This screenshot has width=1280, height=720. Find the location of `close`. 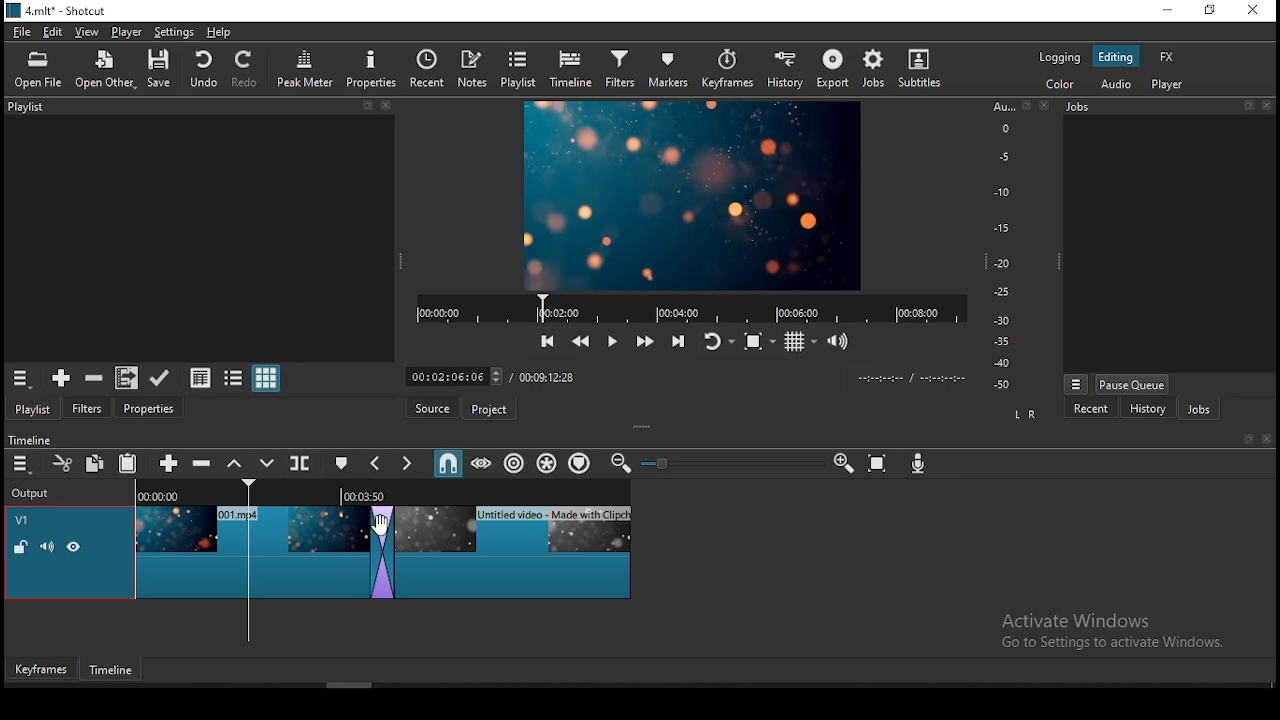

close is located at coordinates (1267, 439).